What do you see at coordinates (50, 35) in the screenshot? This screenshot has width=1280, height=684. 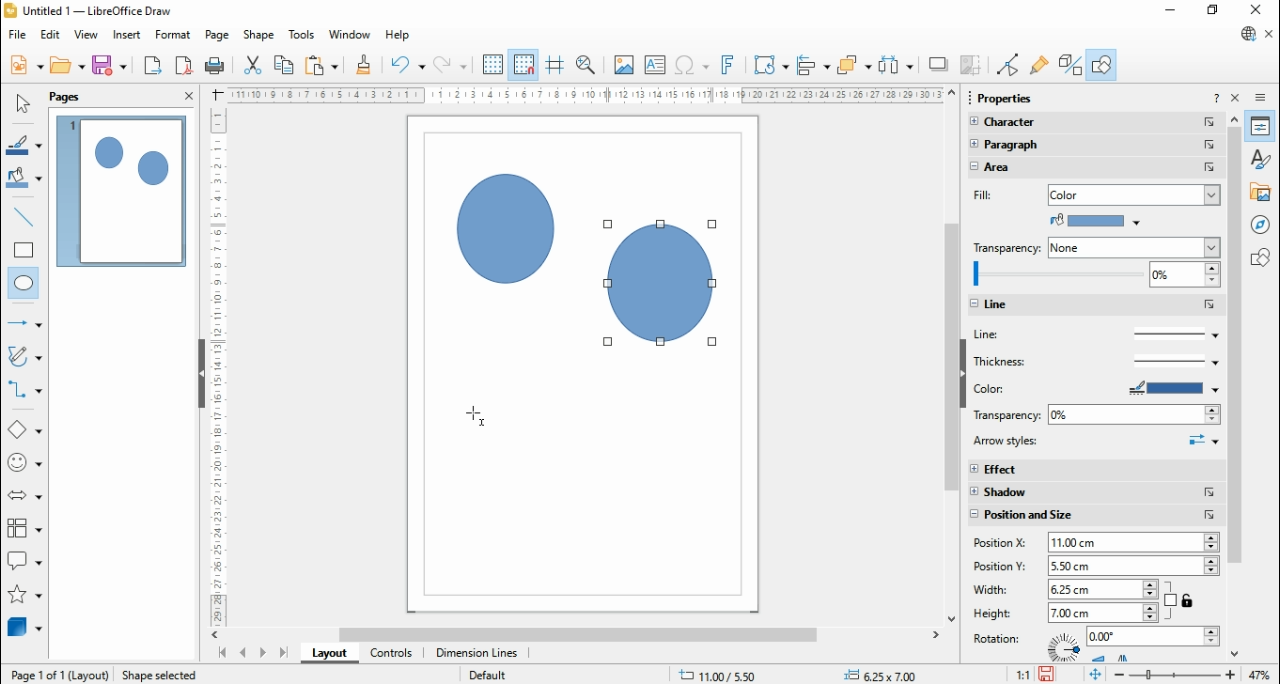 I see `edit` at bounding box center [50, 35].